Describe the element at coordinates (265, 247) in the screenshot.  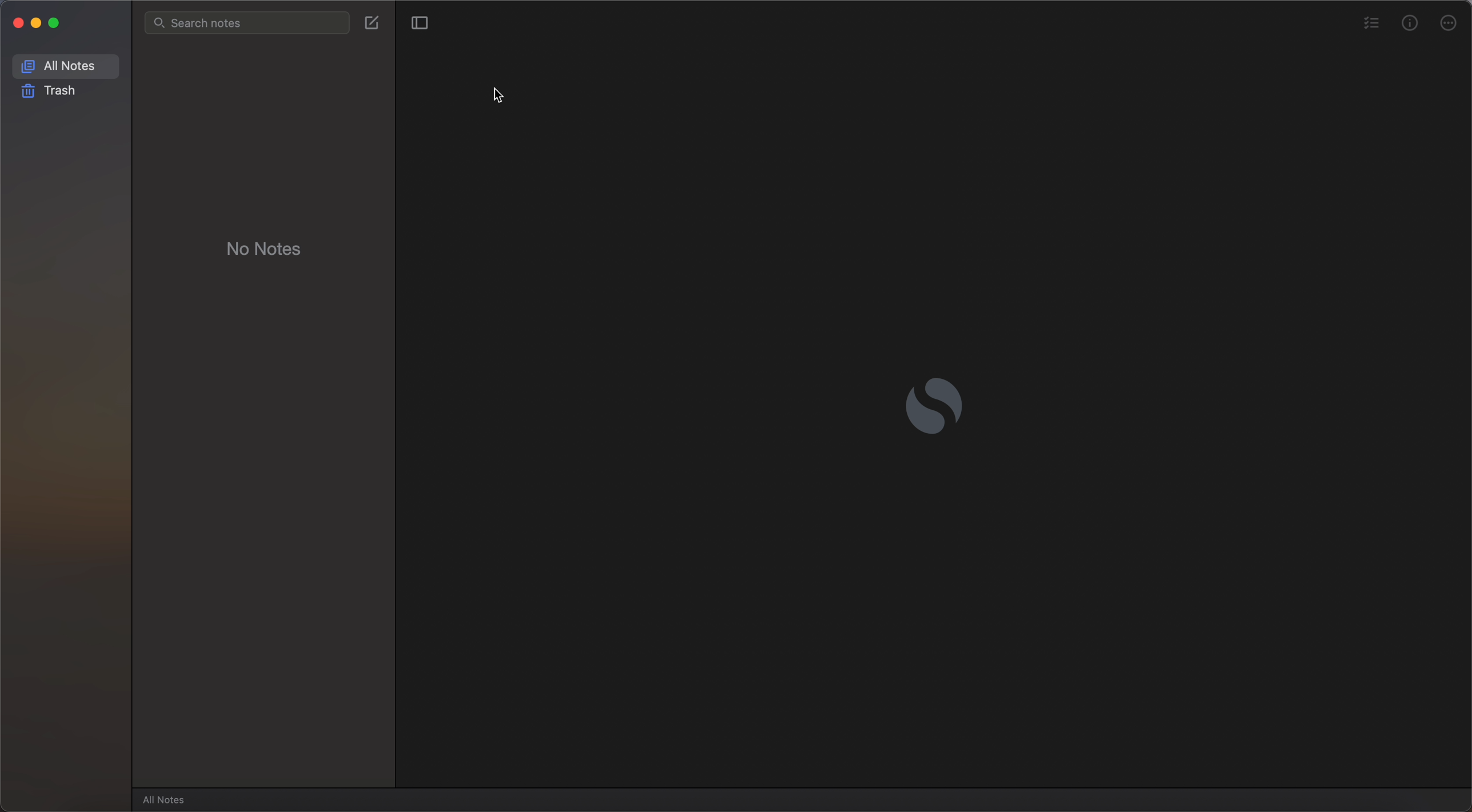
I see `no notes` at that location.